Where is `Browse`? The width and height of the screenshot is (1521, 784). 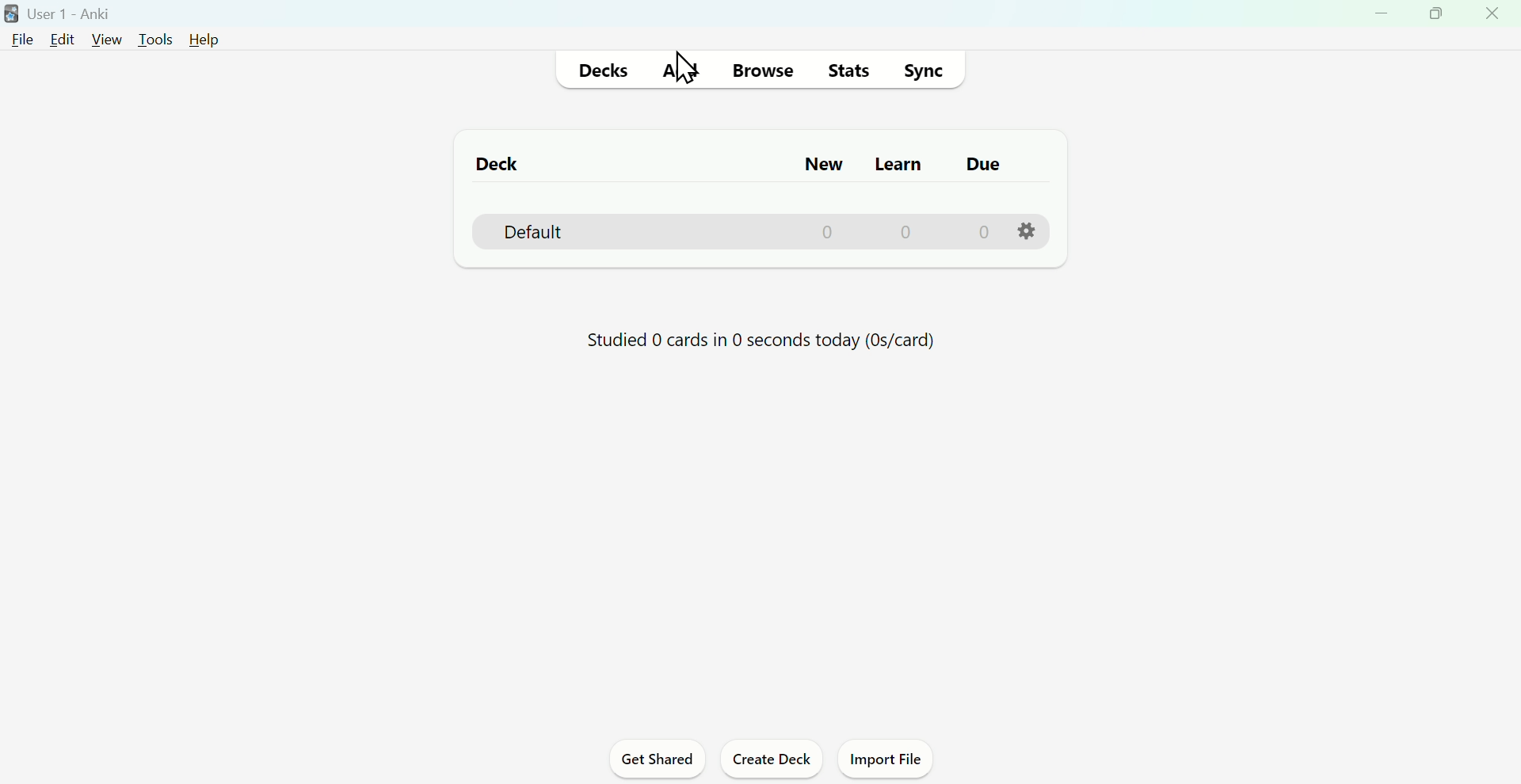 Browse is located at coordinates (764, 69).